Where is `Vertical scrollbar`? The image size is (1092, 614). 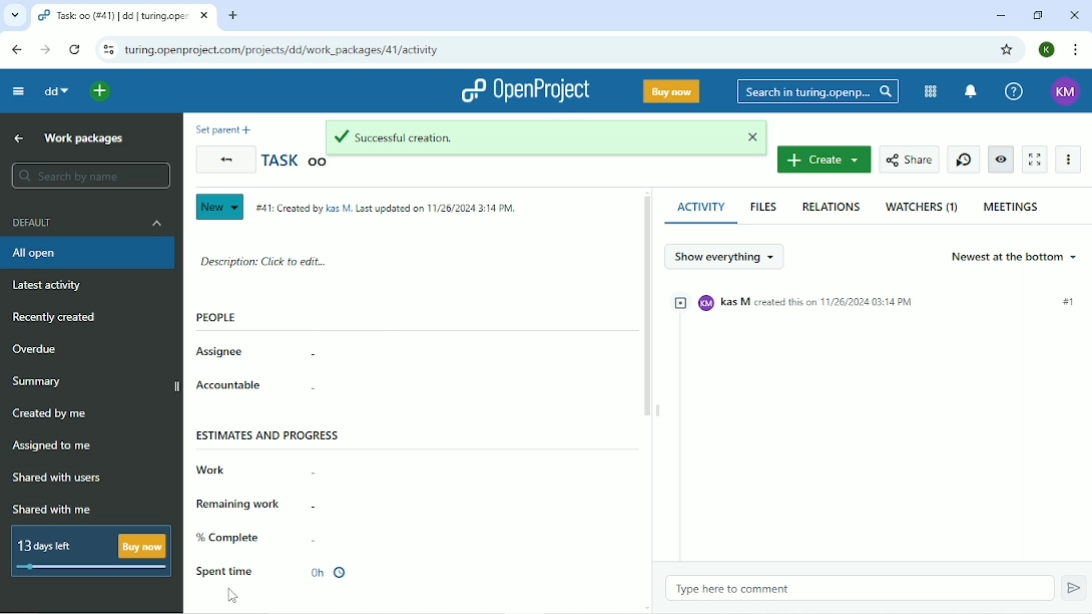
Vertical scrollbar is located at coordinates (177, 360).